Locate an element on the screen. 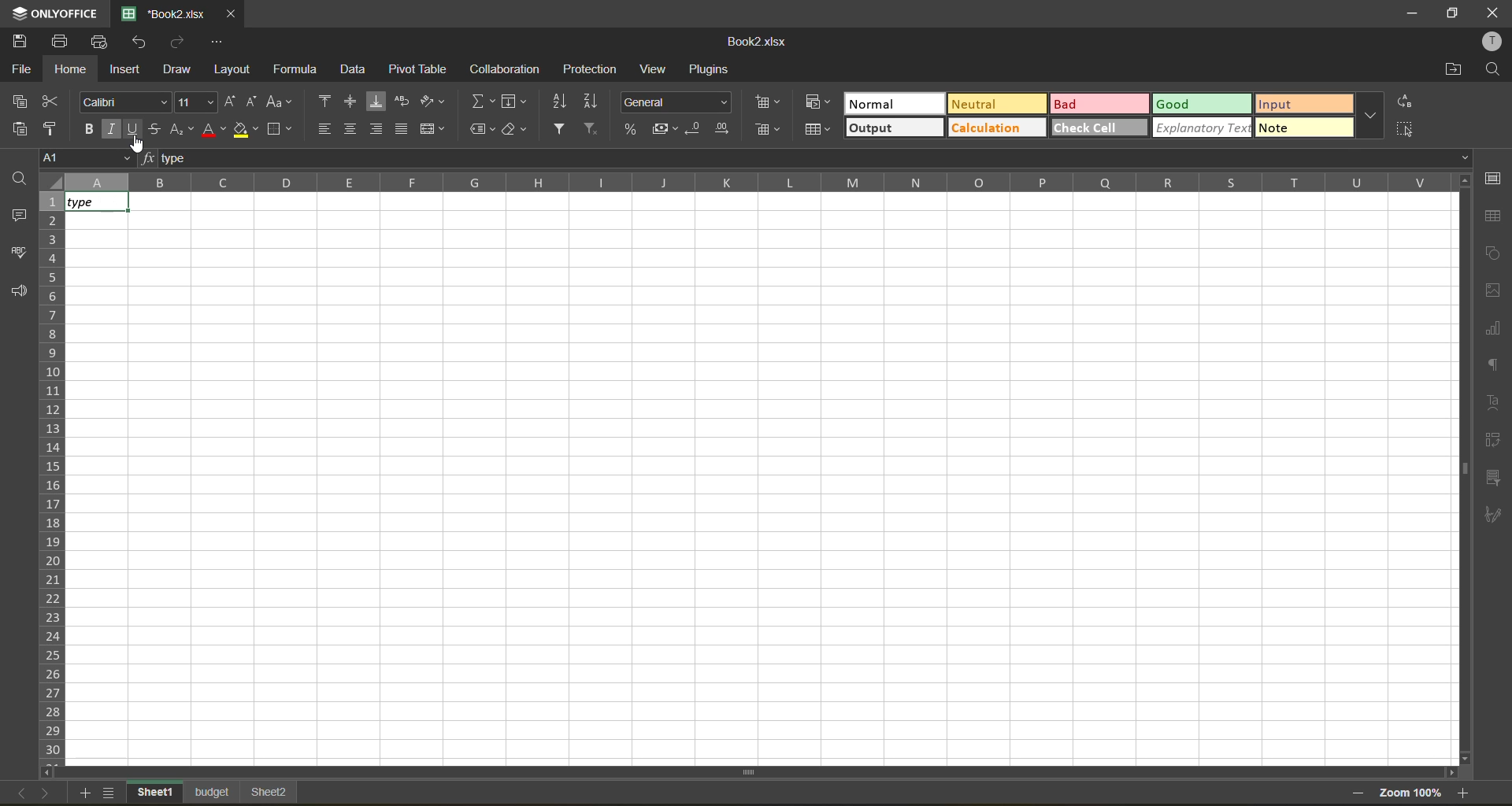 The height and width of the screenshot is (806, 1512). calculation is located at coordinates (996, 128).